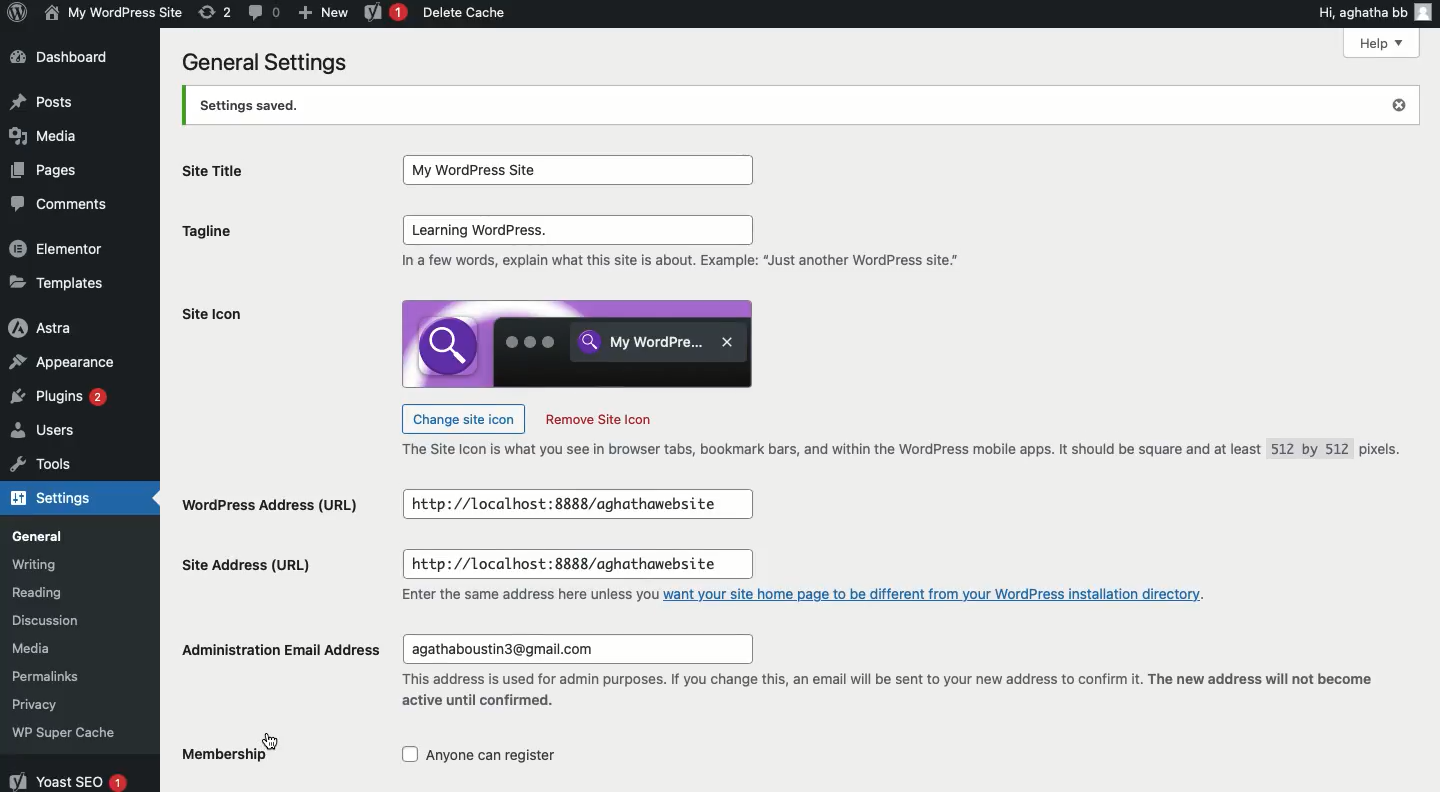 The height and width of the screenshot is (792, 1440). Describe the element at coordinates (67, 778) in the screenshot. I see ` Yoast SEO 1` at that location.